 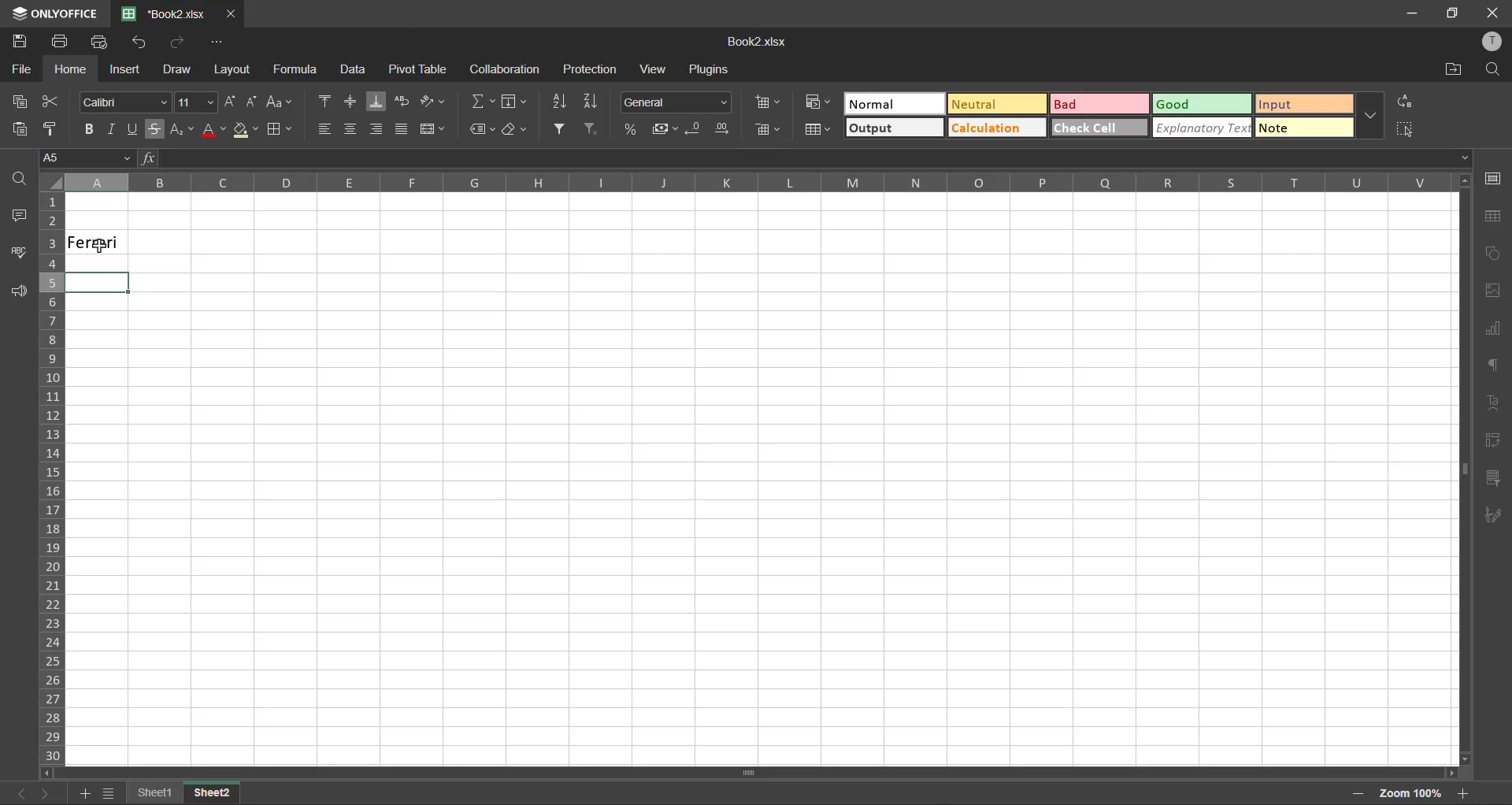 I want to click on cell settings, so click(x=1494, y=178).